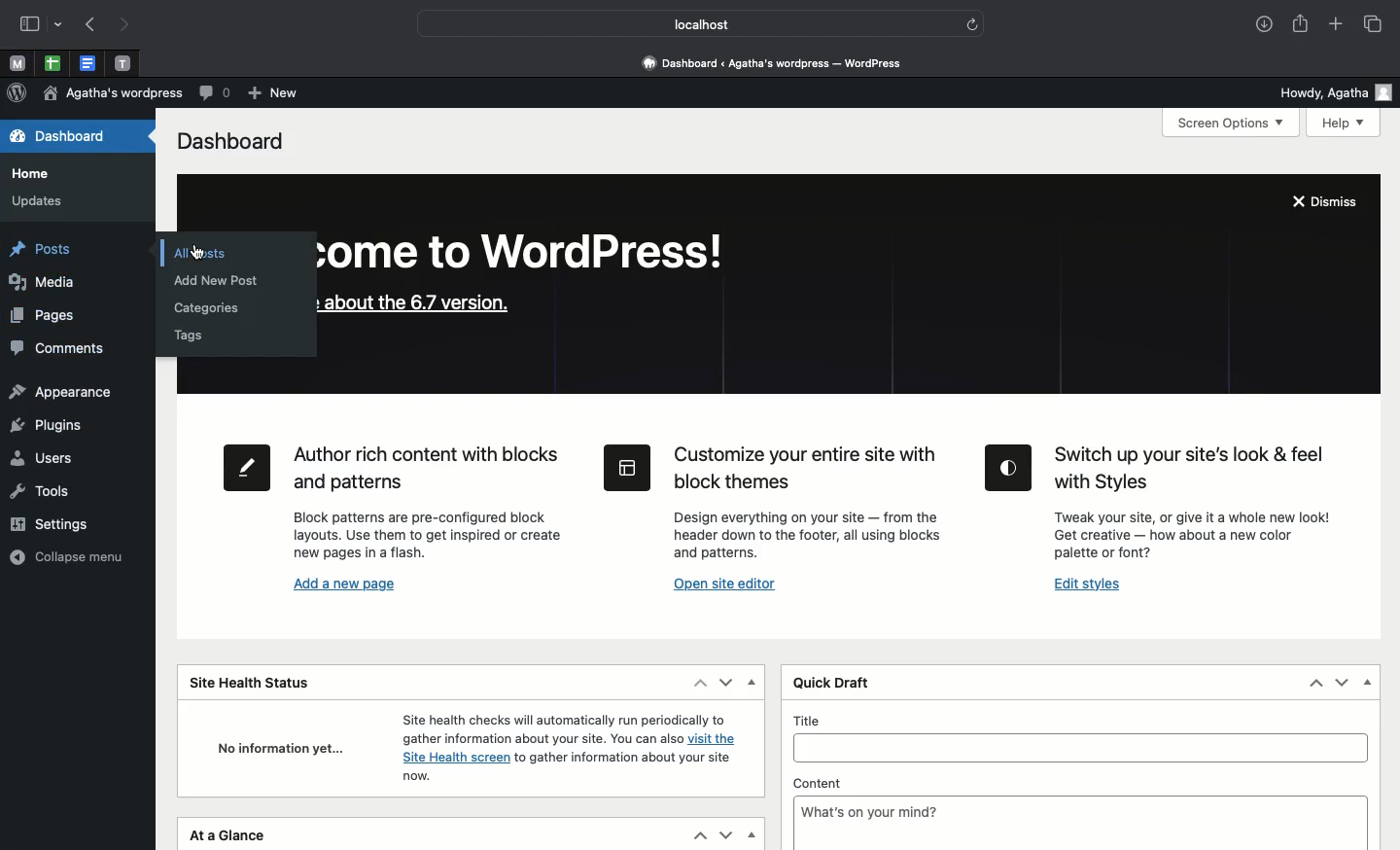 The image size is (1400, 850). What do you see at coordinates (275, 748) in the screenshot?
I see `No information yet` at bounding box center [275, 748].